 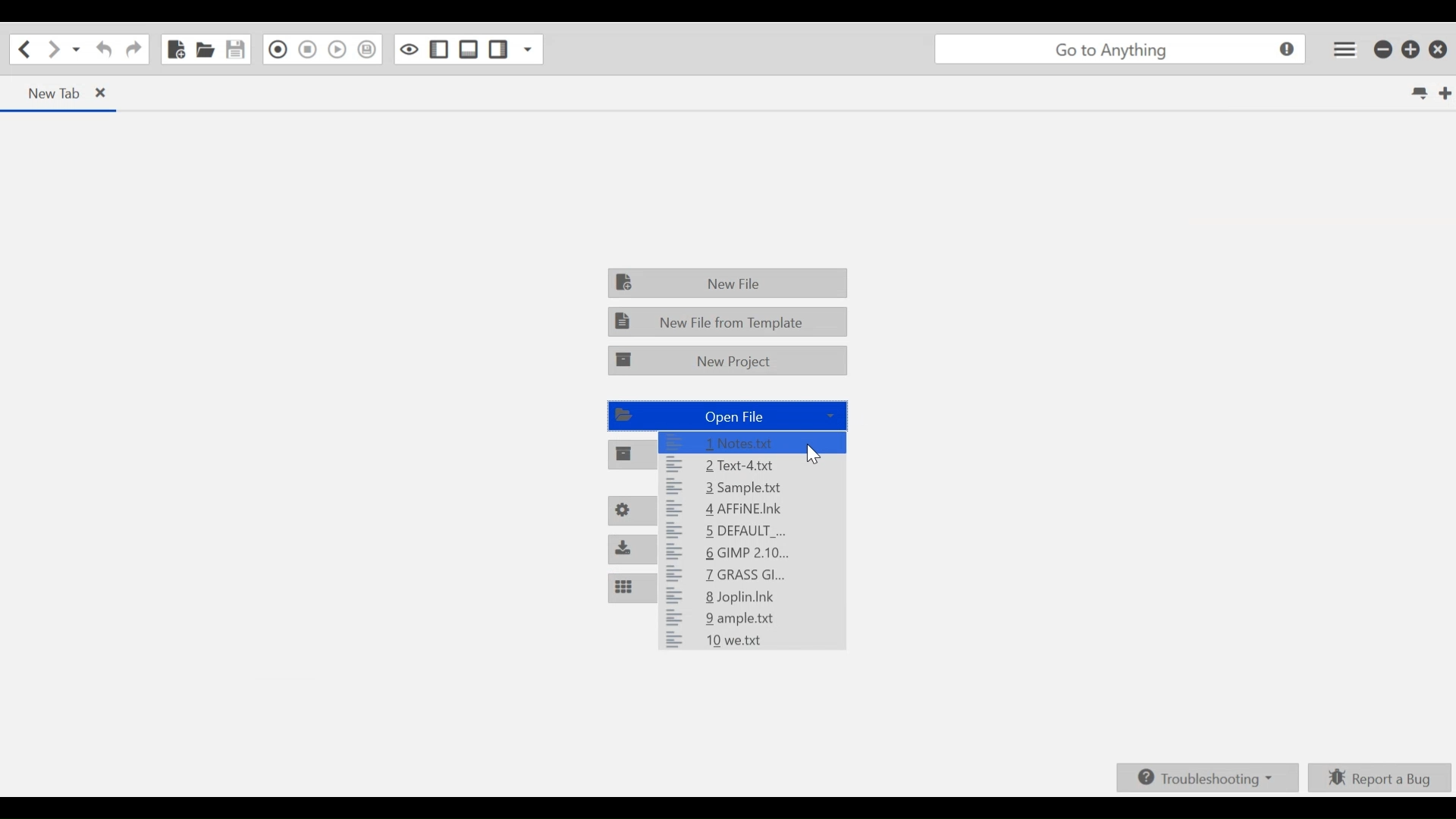 I want to click on 10 we.txt, so click(x=752, y=642).